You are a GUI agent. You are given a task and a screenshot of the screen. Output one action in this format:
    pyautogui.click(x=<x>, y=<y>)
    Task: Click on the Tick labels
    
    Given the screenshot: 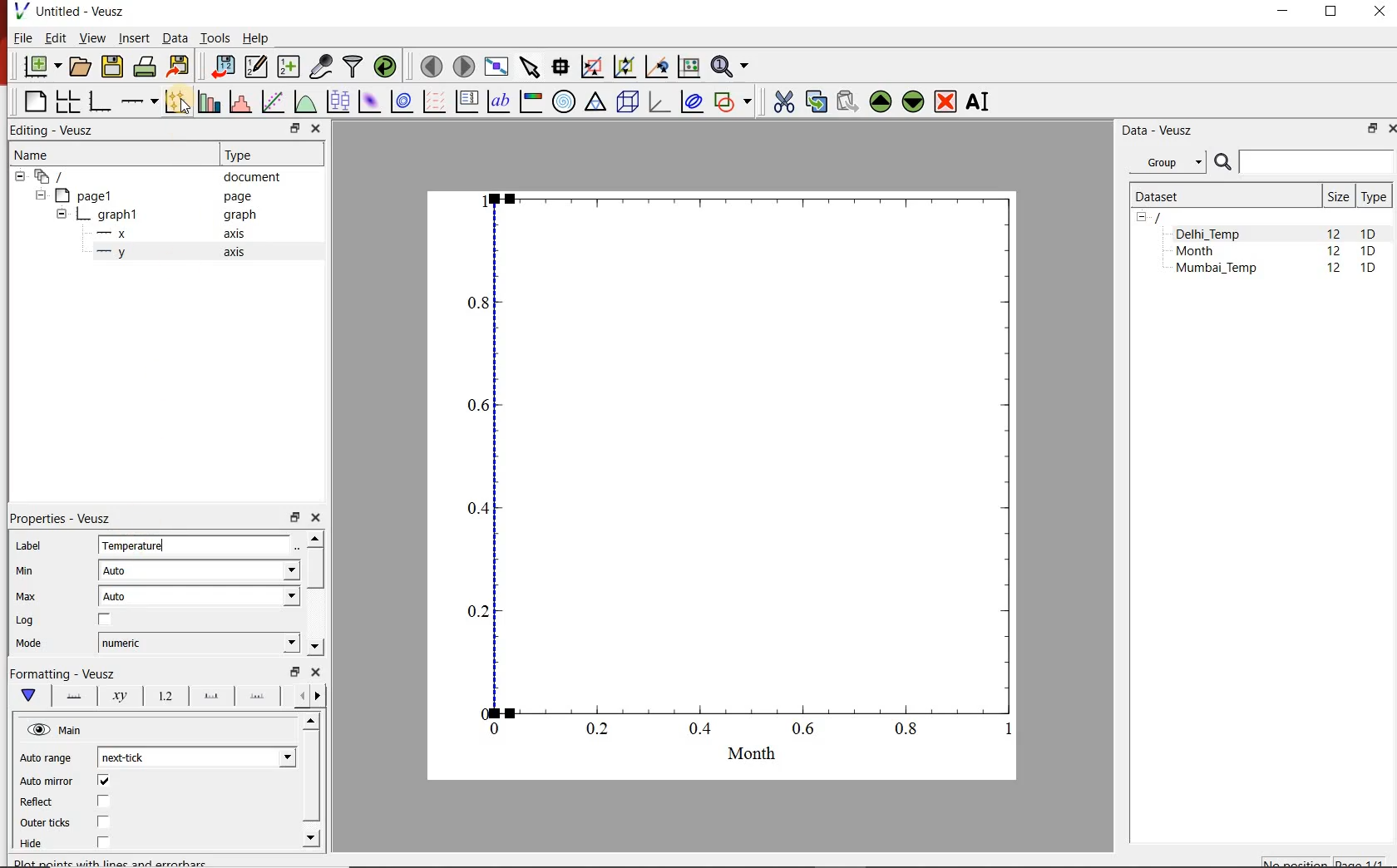 What is the action you would take?
    pyautogui.click(x=164, y=693)
    